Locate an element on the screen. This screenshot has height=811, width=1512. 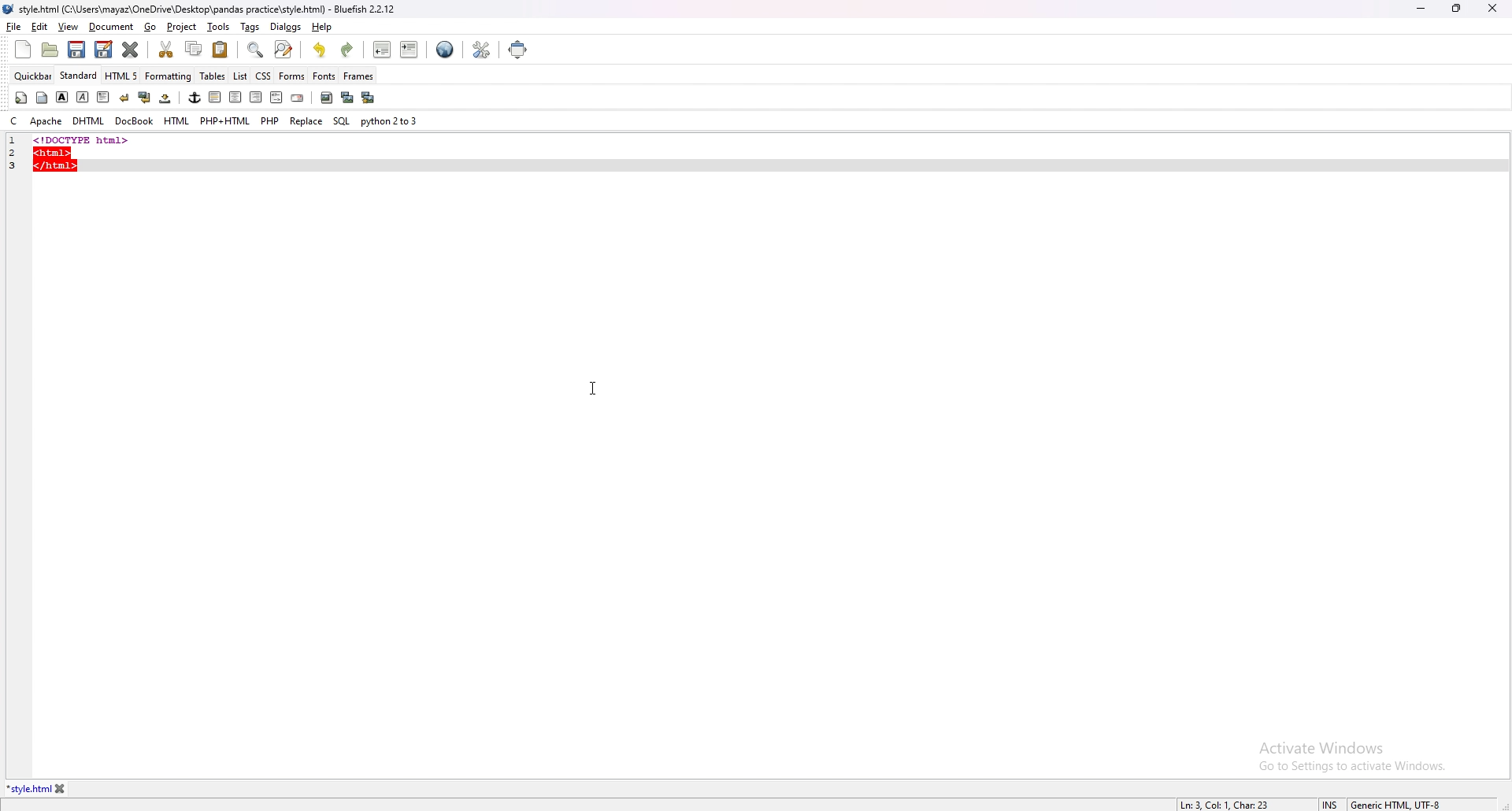
email is located at coordinates (297, 98).